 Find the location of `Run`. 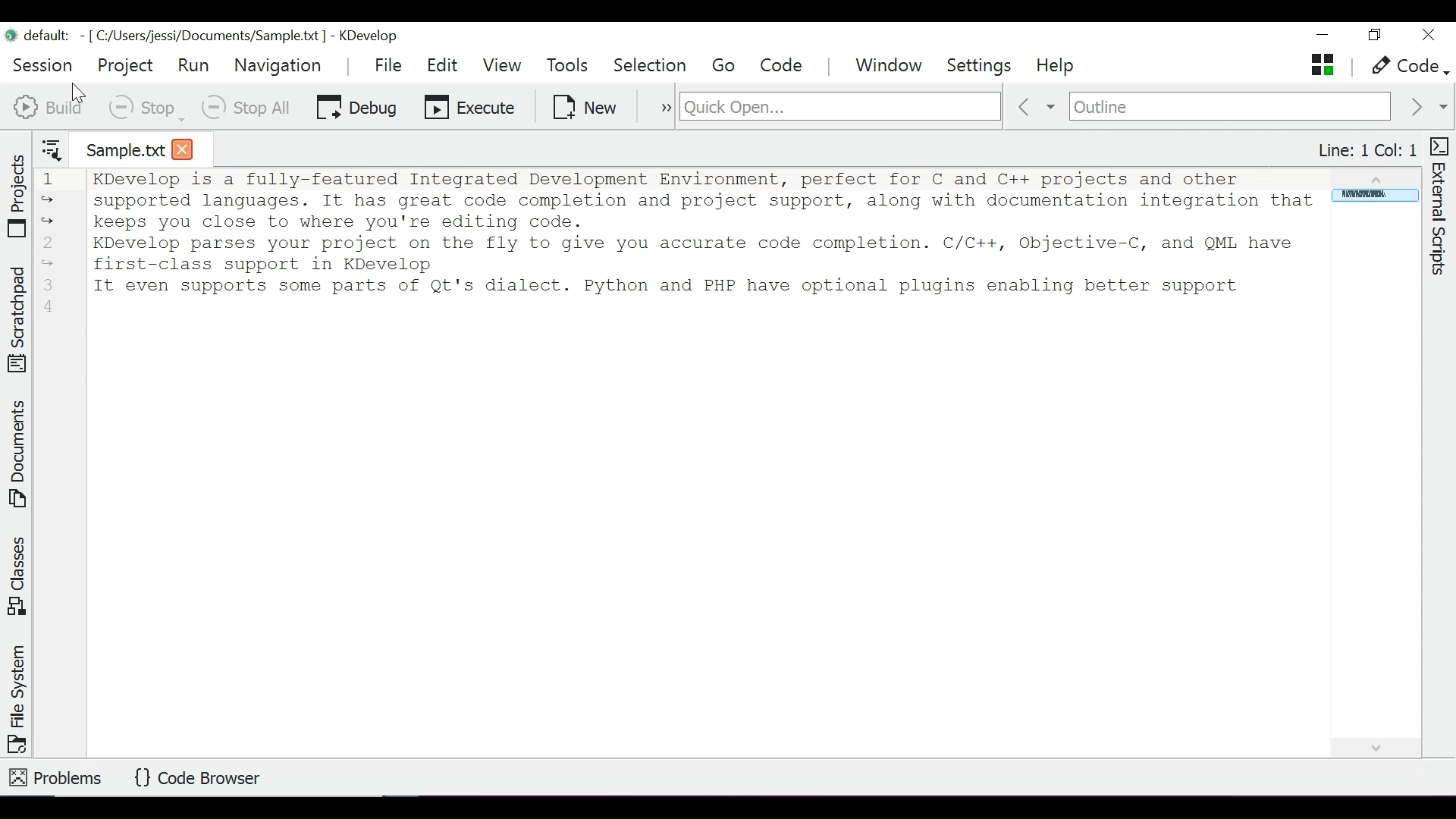

Run is located at coordinates (193, 64).